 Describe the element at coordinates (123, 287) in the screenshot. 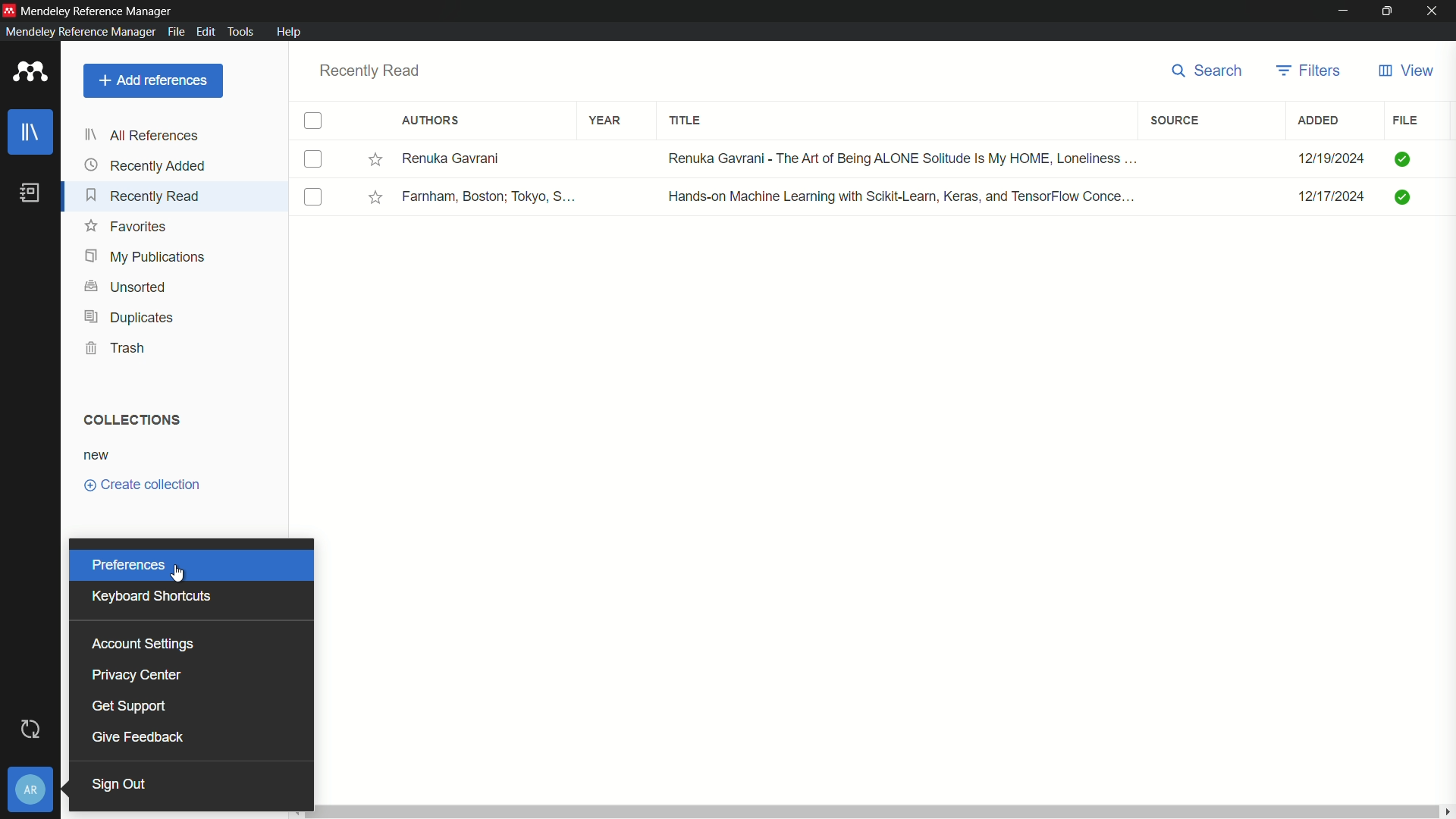

I see `unsorted` at that location.